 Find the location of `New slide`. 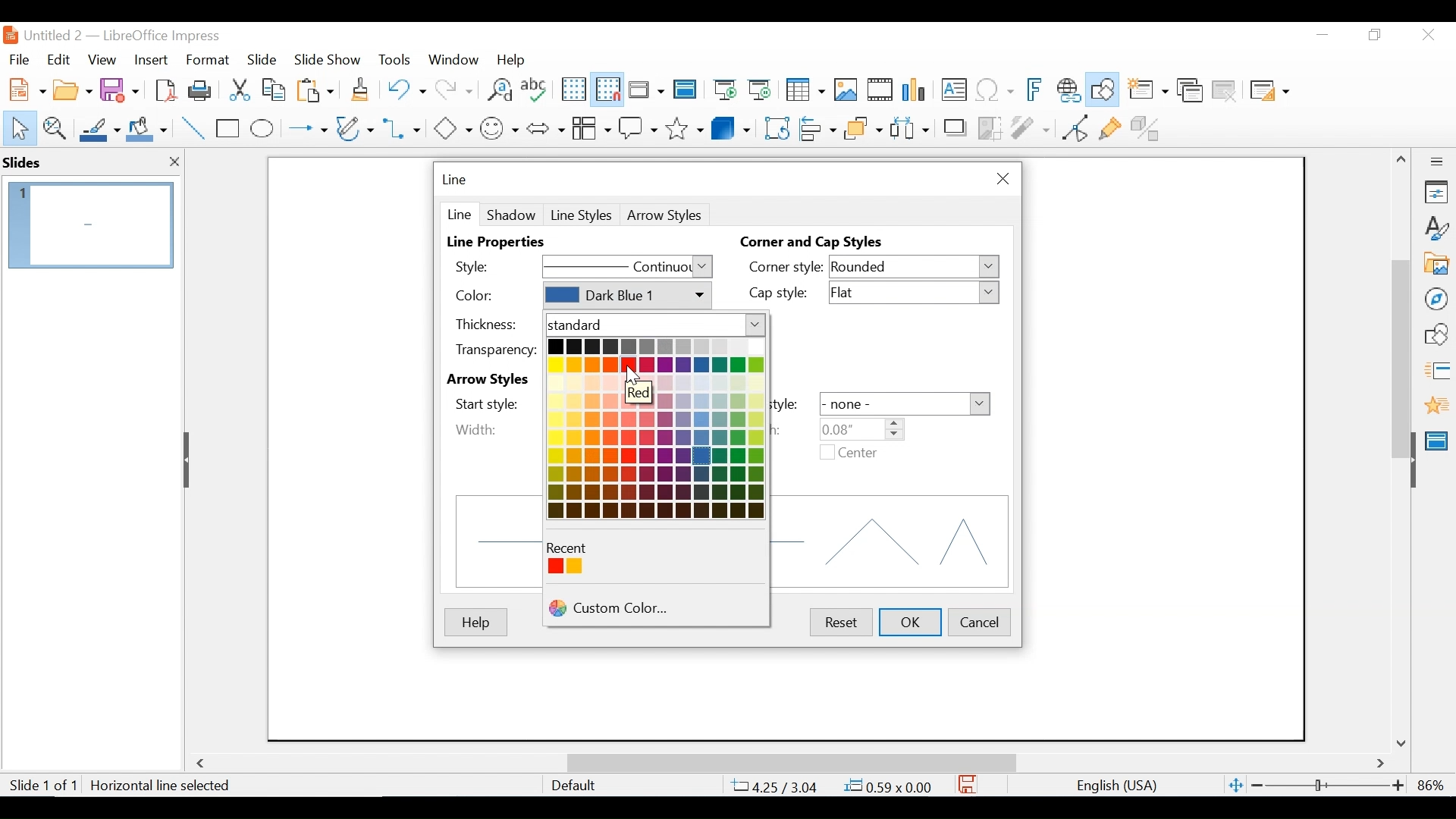

New slide is located at coordinates (1147, 91).